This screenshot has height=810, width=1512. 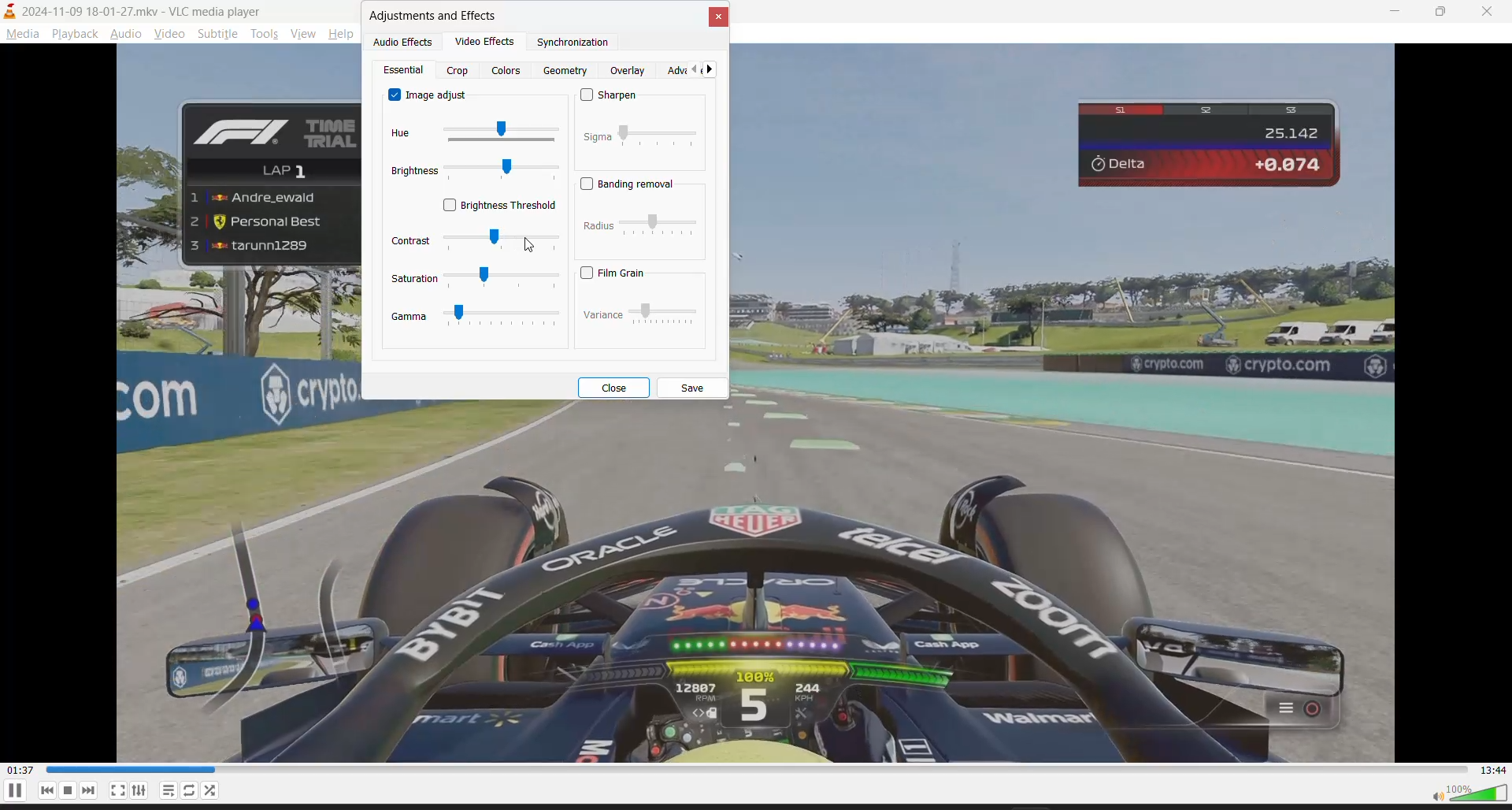 What do you see at coordinates (1464, 795) in the screenshot?
I see `volume` at bounding box center [1464, 795].